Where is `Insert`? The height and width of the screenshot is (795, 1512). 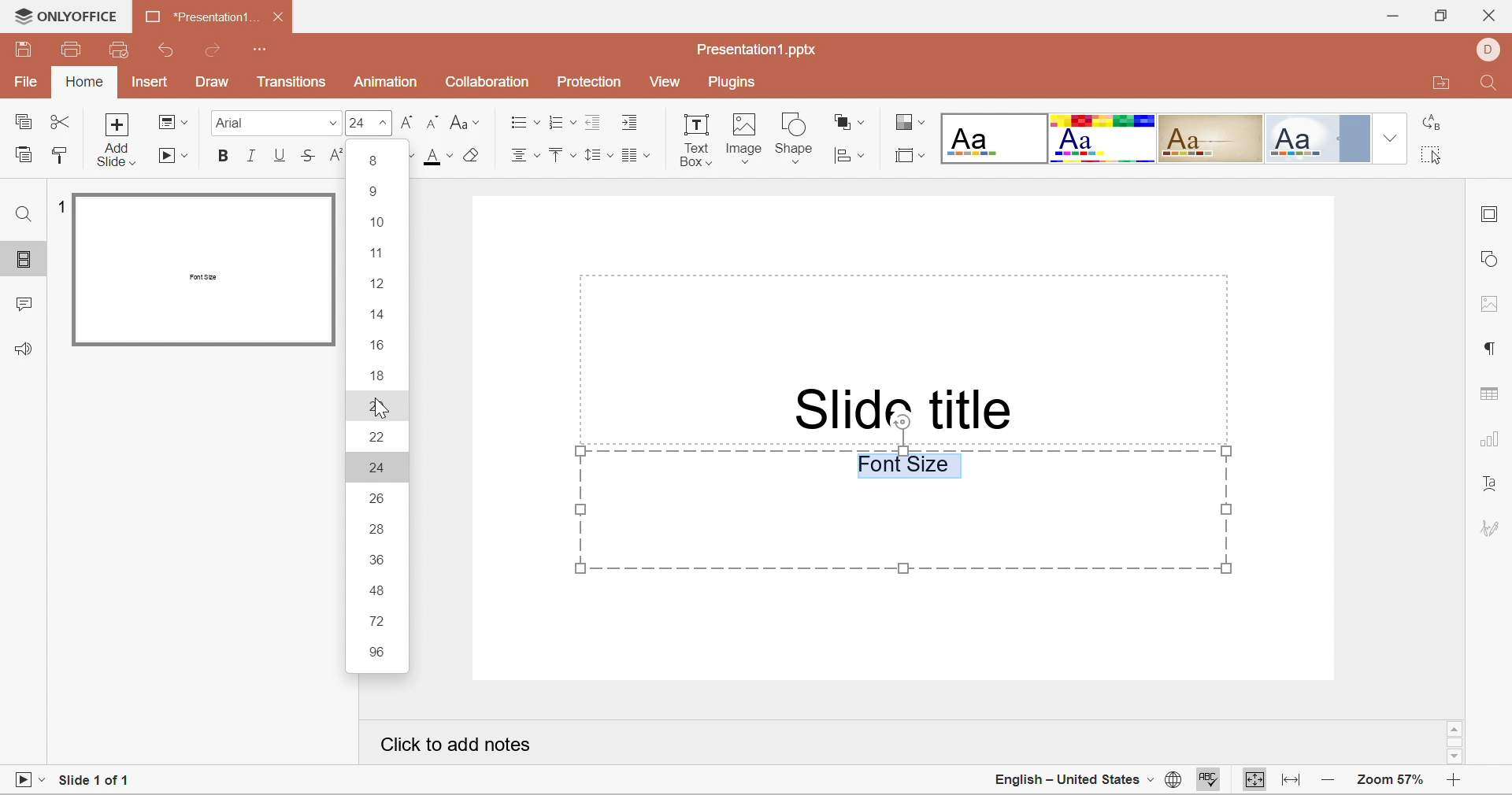 Insert is located at coordinates (150, 83).